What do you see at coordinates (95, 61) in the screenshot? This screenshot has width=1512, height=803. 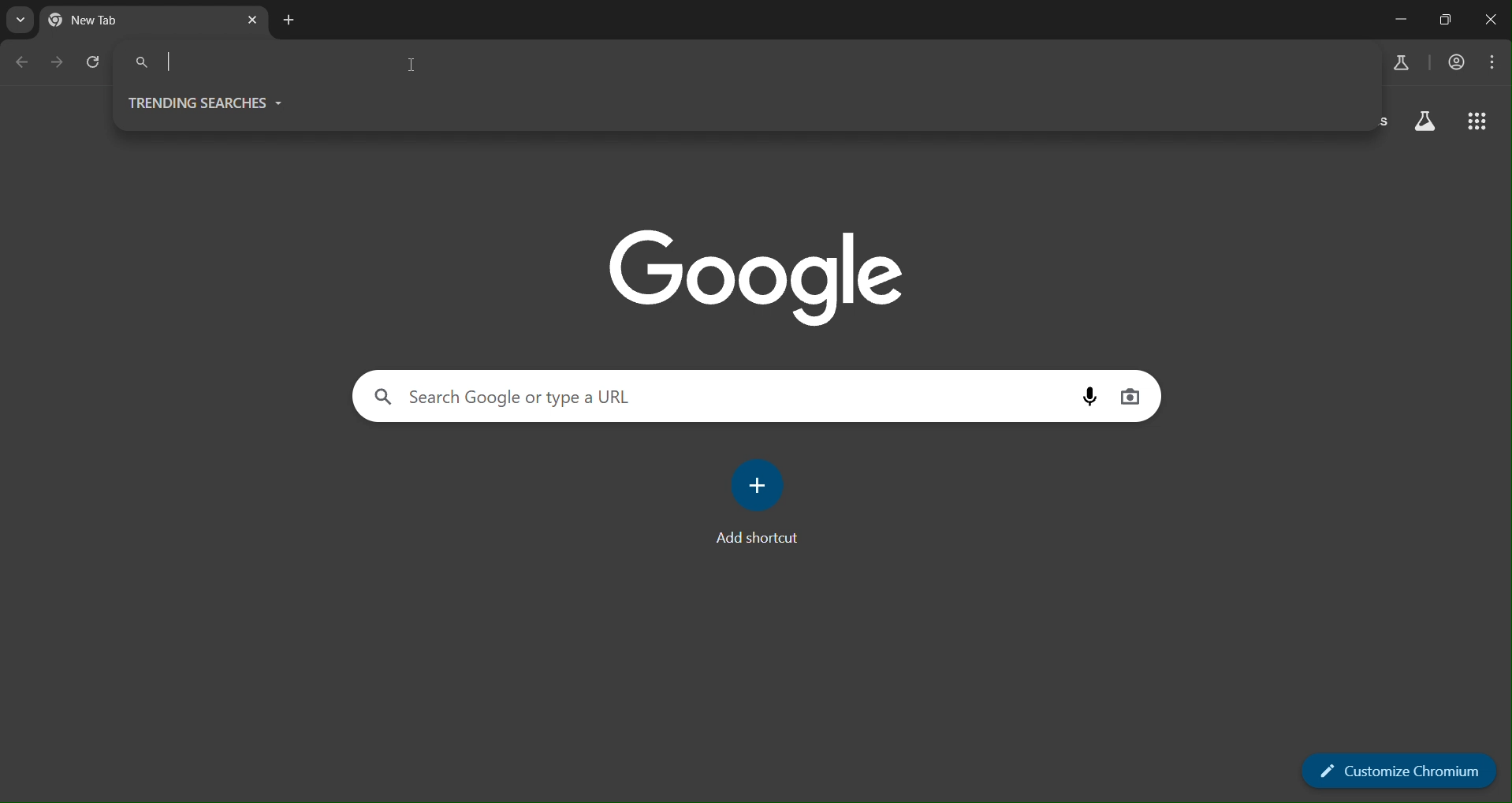 I see `reload page` at bounding box center [95, 61].